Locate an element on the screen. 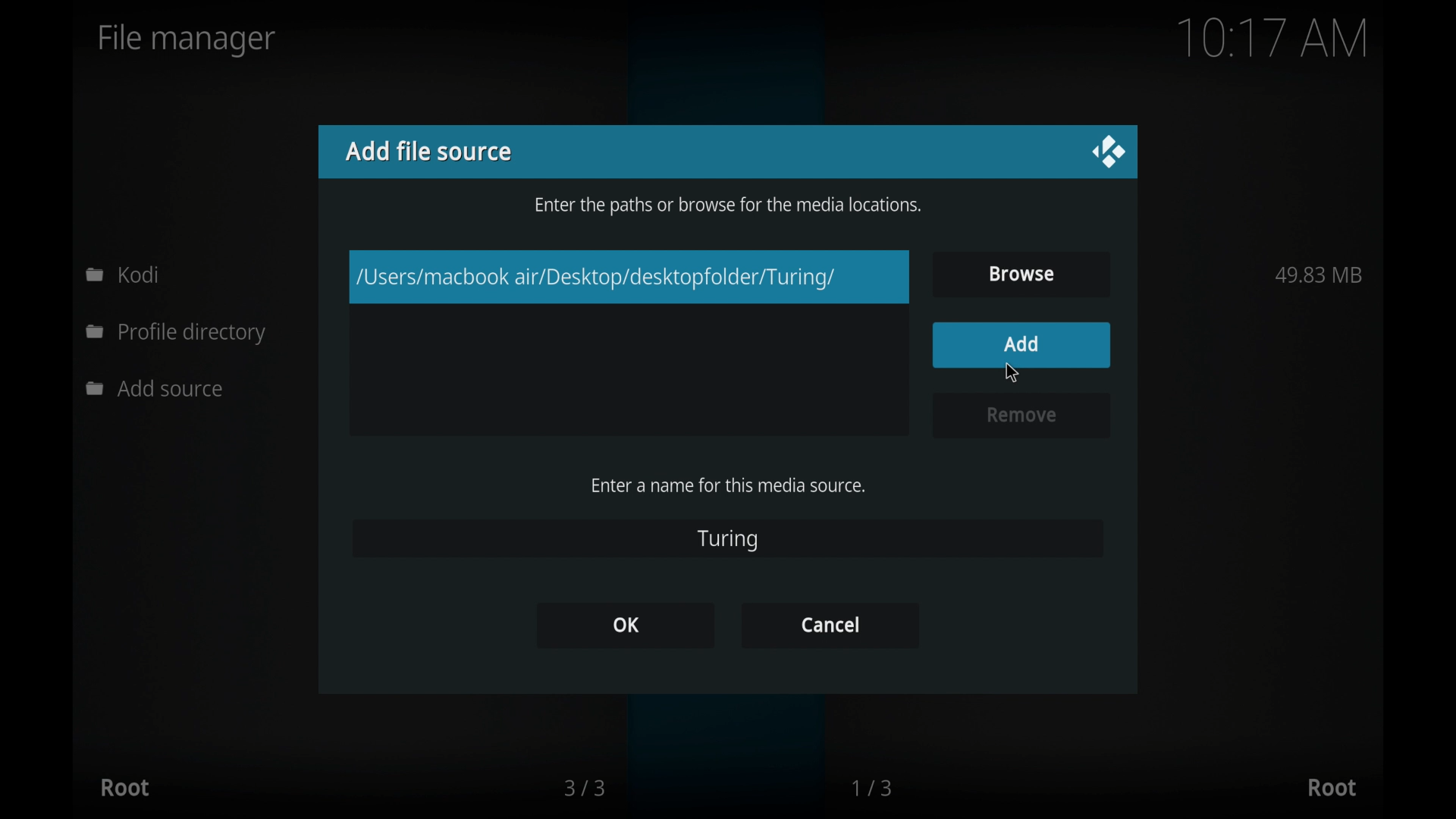 The height and width of the screenshot is (819, 1456). browse is located at coordinates (1023, 273).